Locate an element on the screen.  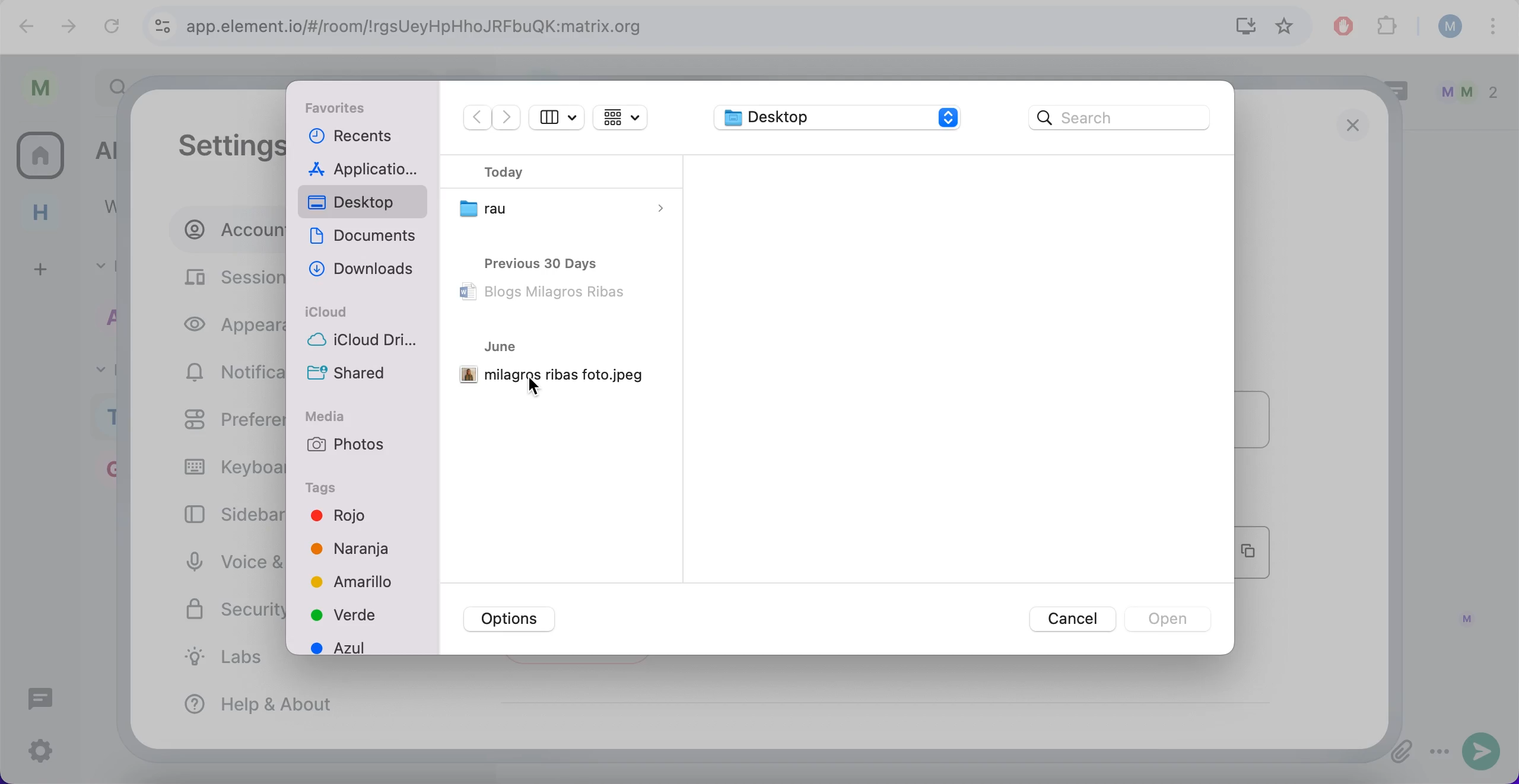
picture is located at coordinates (556, 375).